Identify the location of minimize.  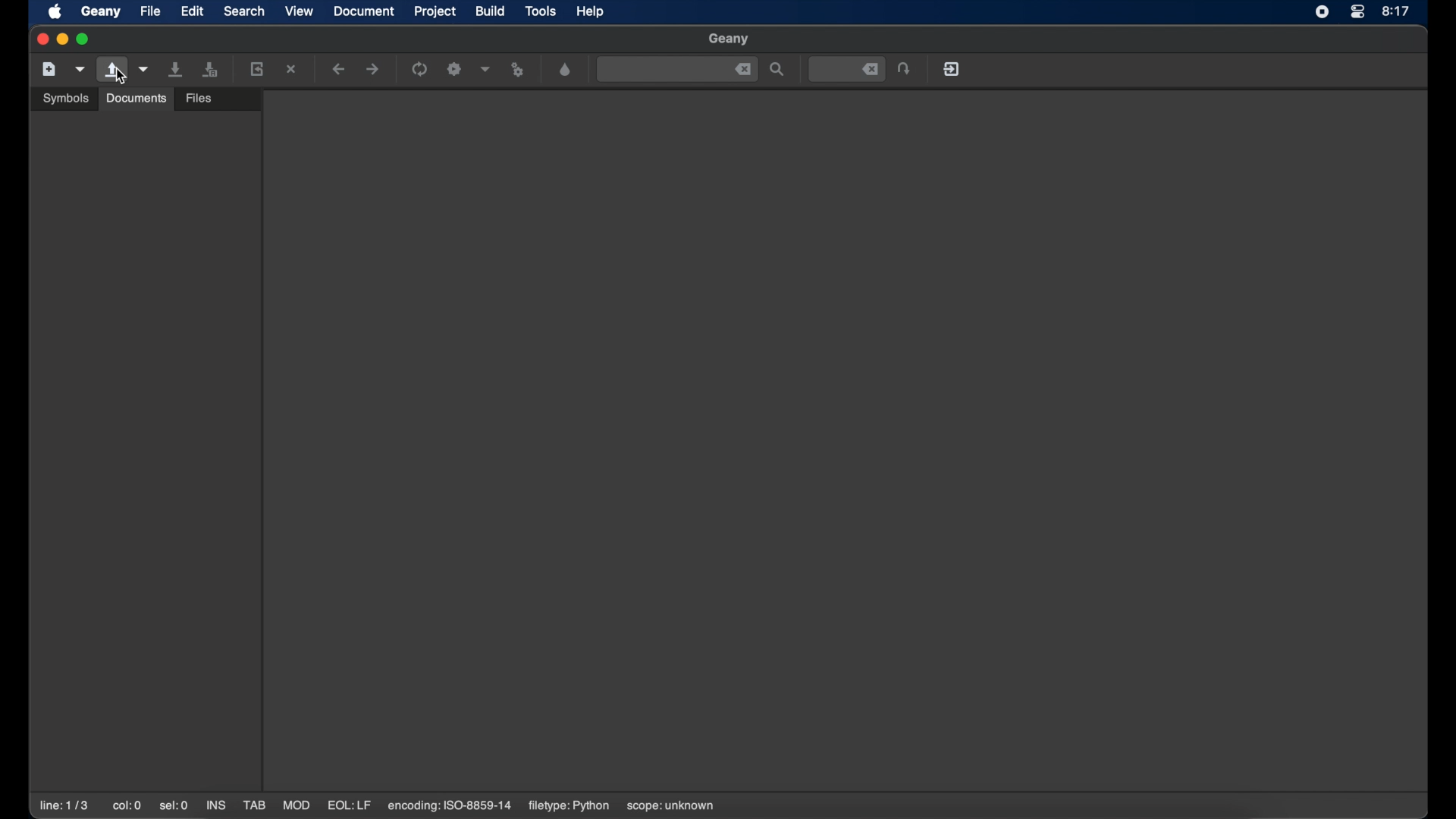
(62, 39).